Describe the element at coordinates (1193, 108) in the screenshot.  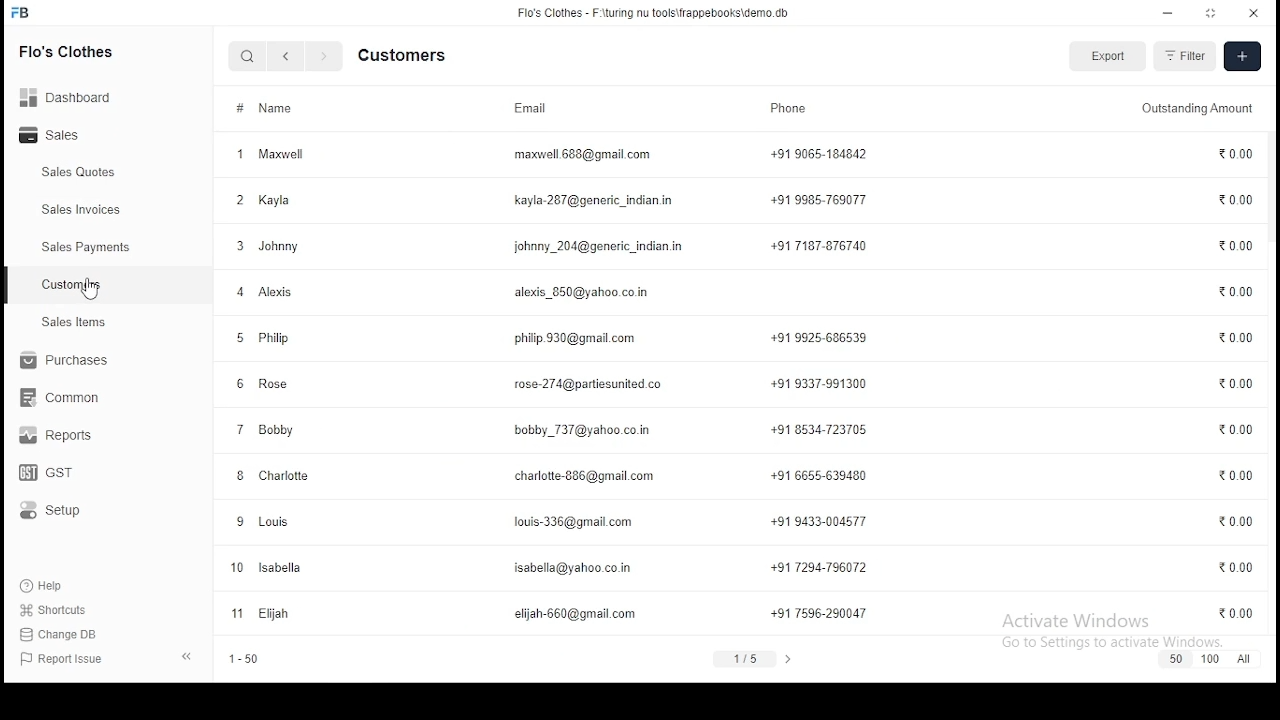
I see `Outstanding amount` at that location.